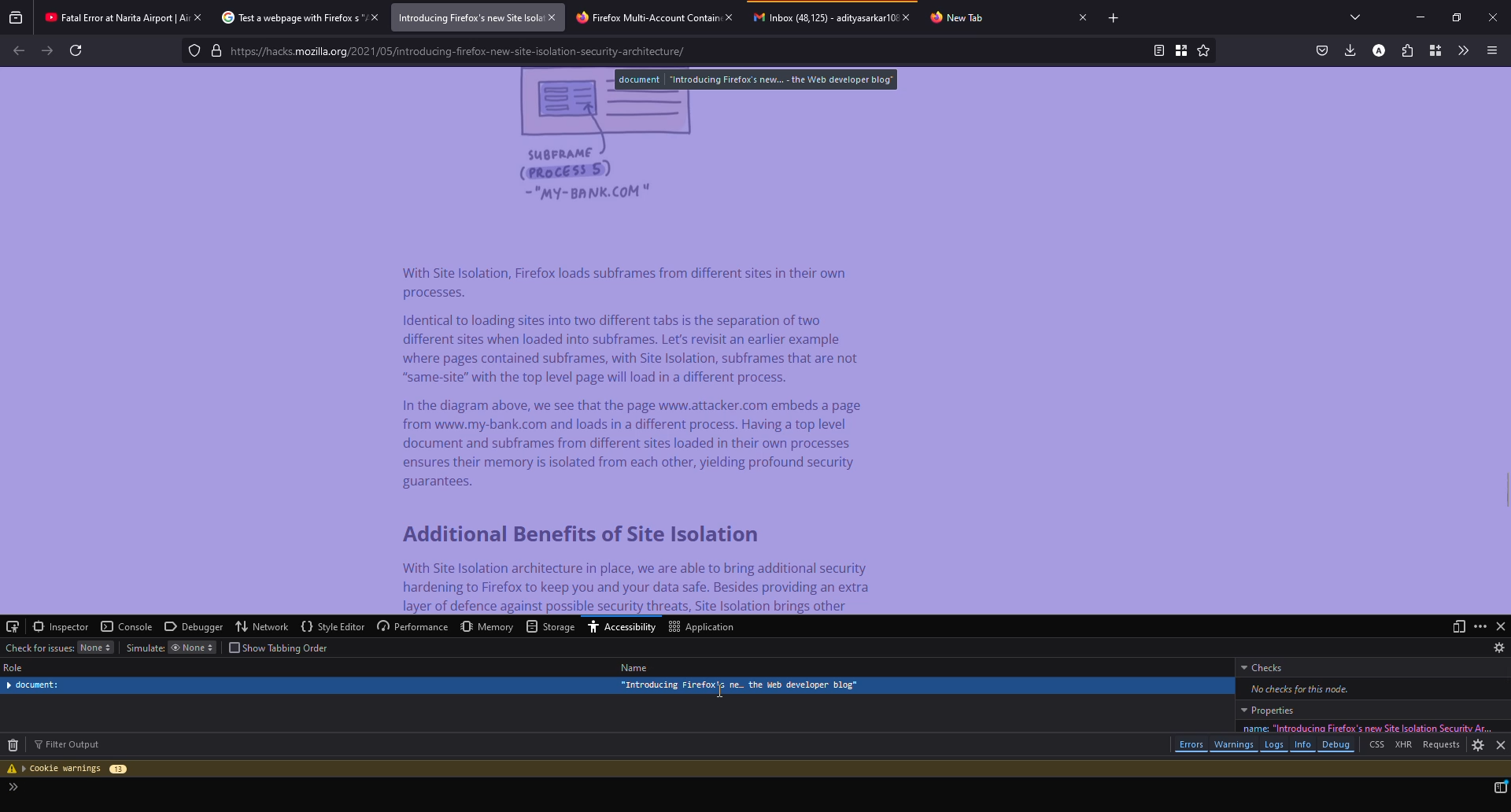 The height and width of the screenshot is (812, 1511). What do you see at coordinates (13, 745) in the screenshot?
I see `bin` at bounding box center [13, 745].